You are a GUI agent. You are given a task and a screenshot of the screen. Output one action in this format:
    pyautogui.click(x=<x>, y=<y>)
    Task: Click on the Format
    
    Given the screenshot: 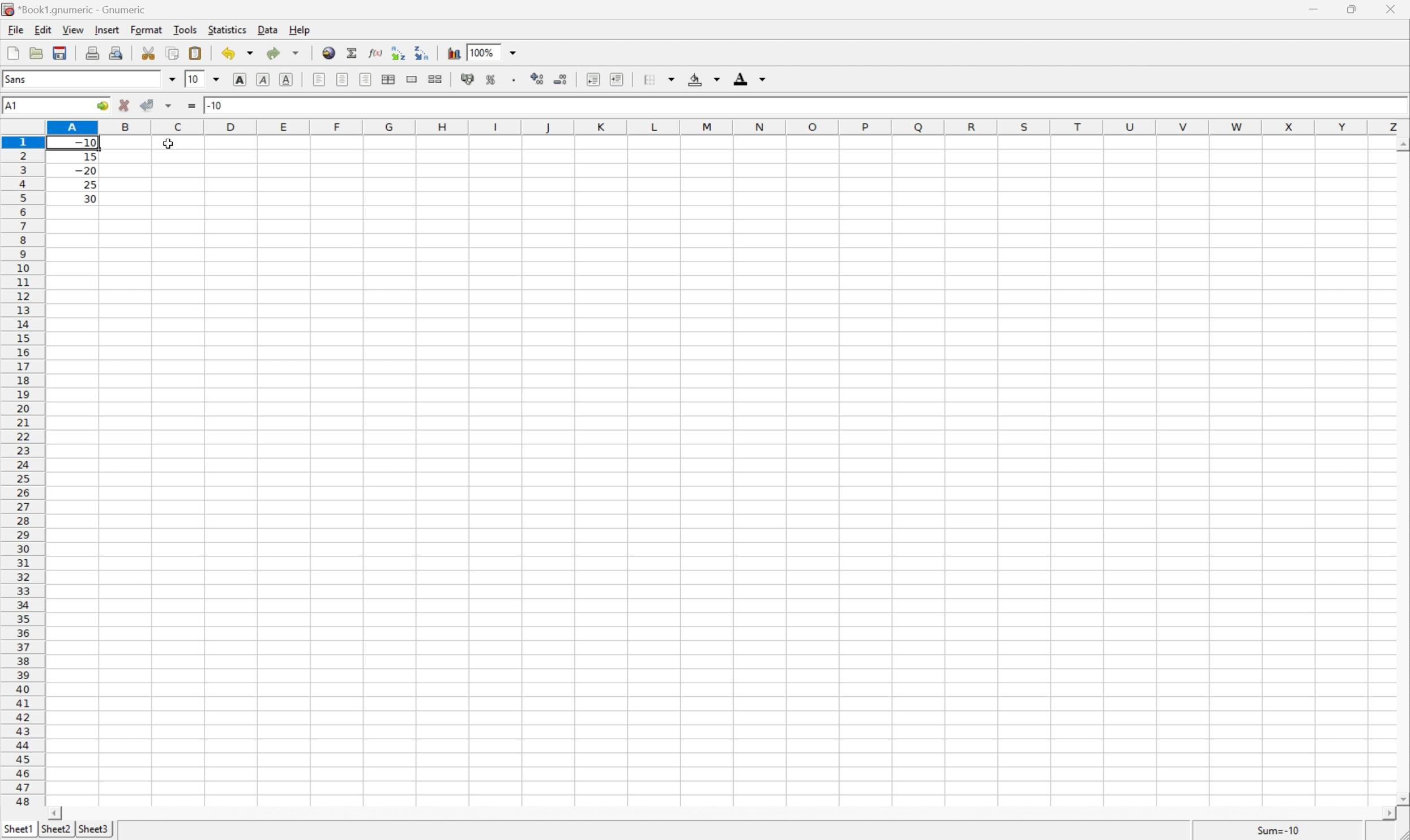 What is the action you would take?
    pyautogui.click(x=148, y=28)
    